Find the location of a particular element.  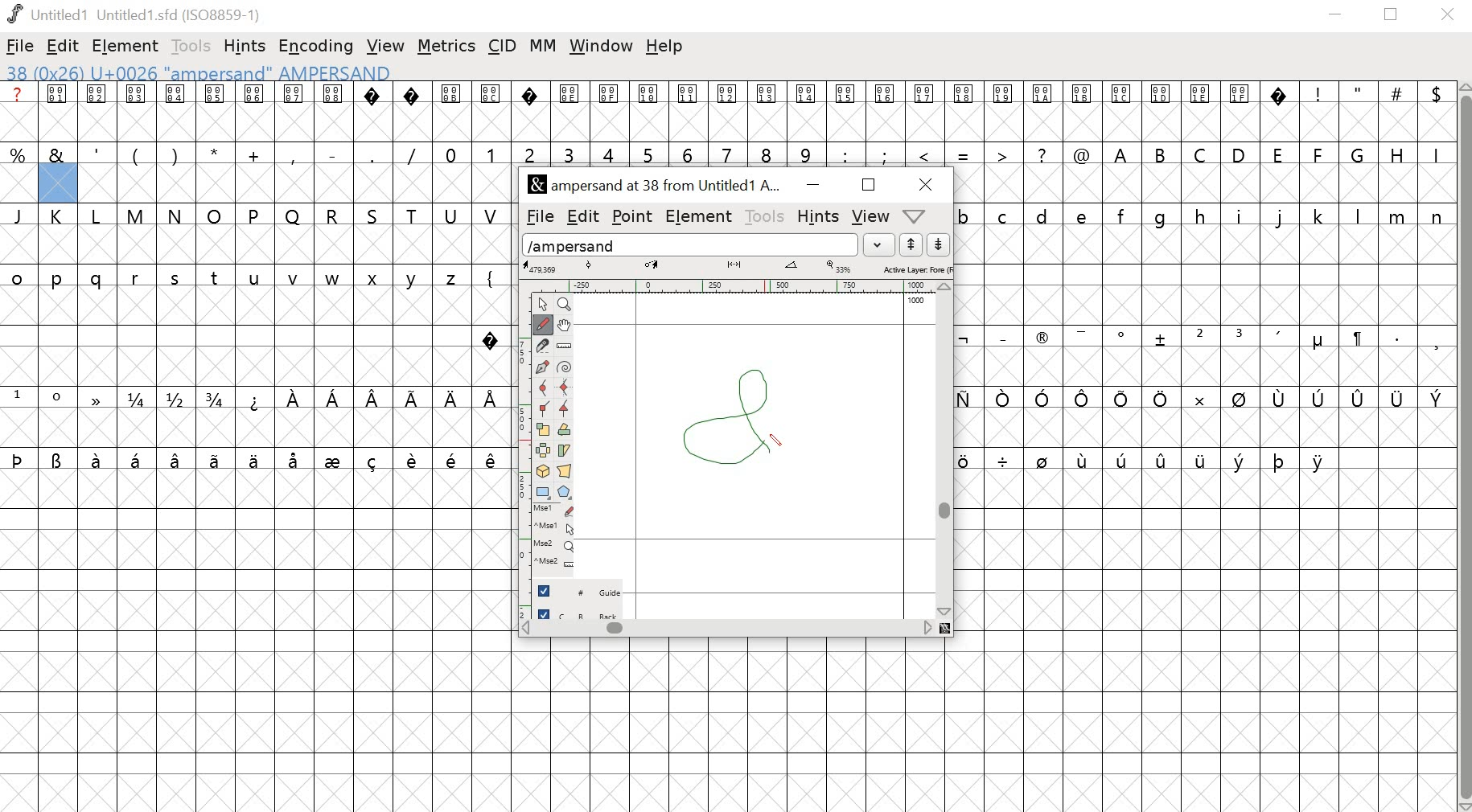

hints is located at coordinates (247, 45).